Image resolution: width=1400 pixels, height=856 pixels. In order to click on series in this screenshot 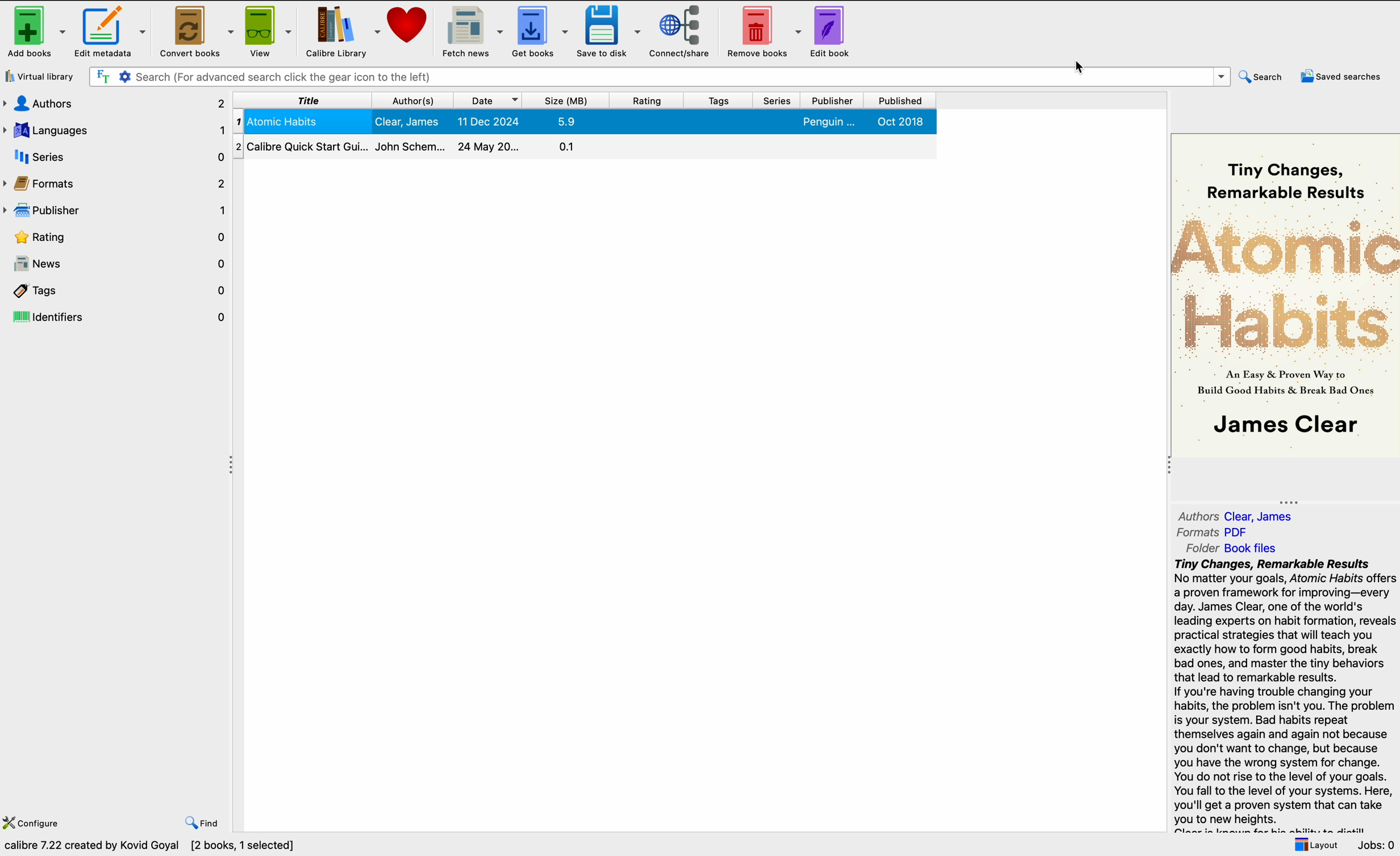, I will do `click(116, 157)`.